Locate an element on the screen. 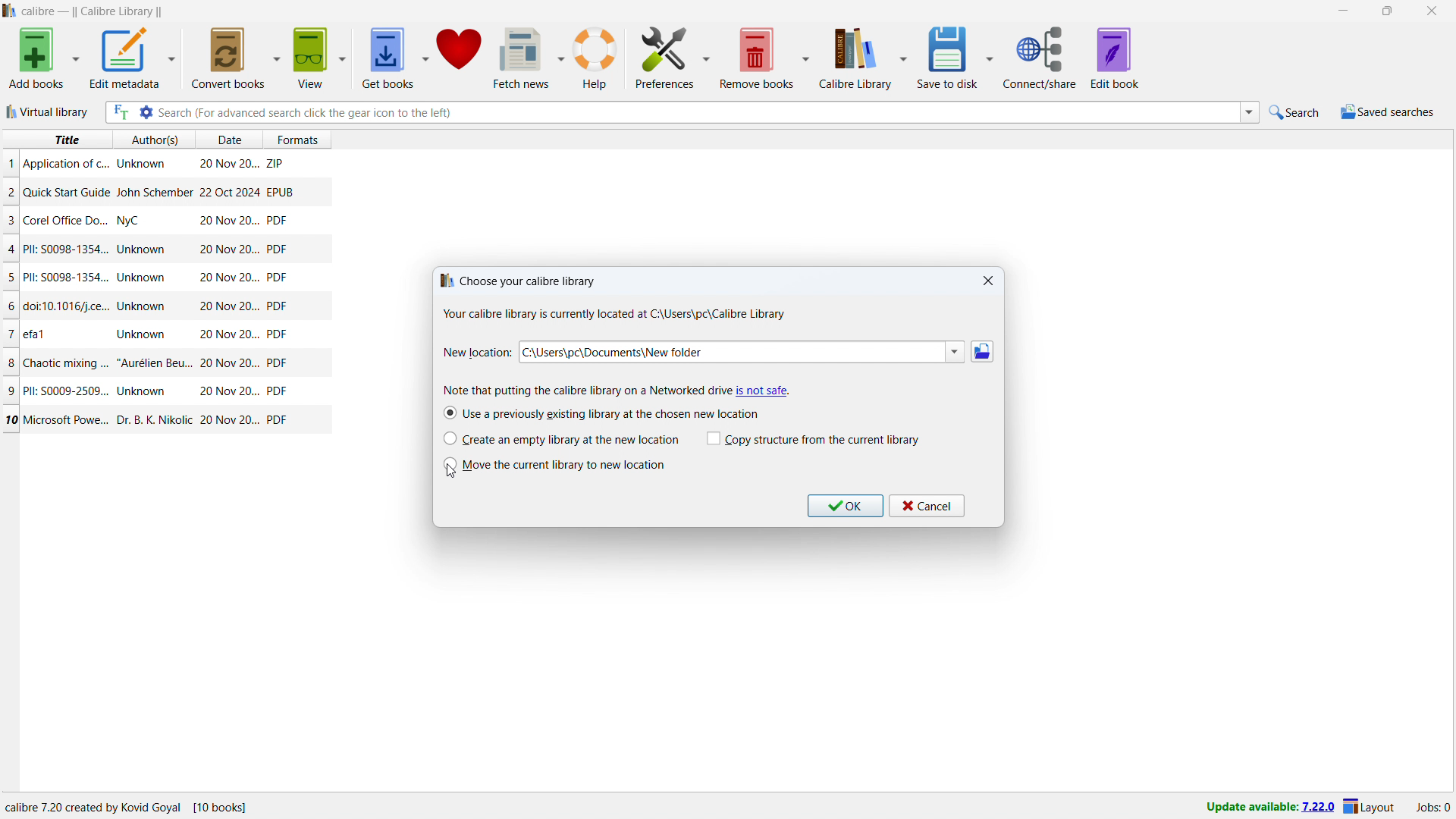  Date is located at coordinates (227, 307).